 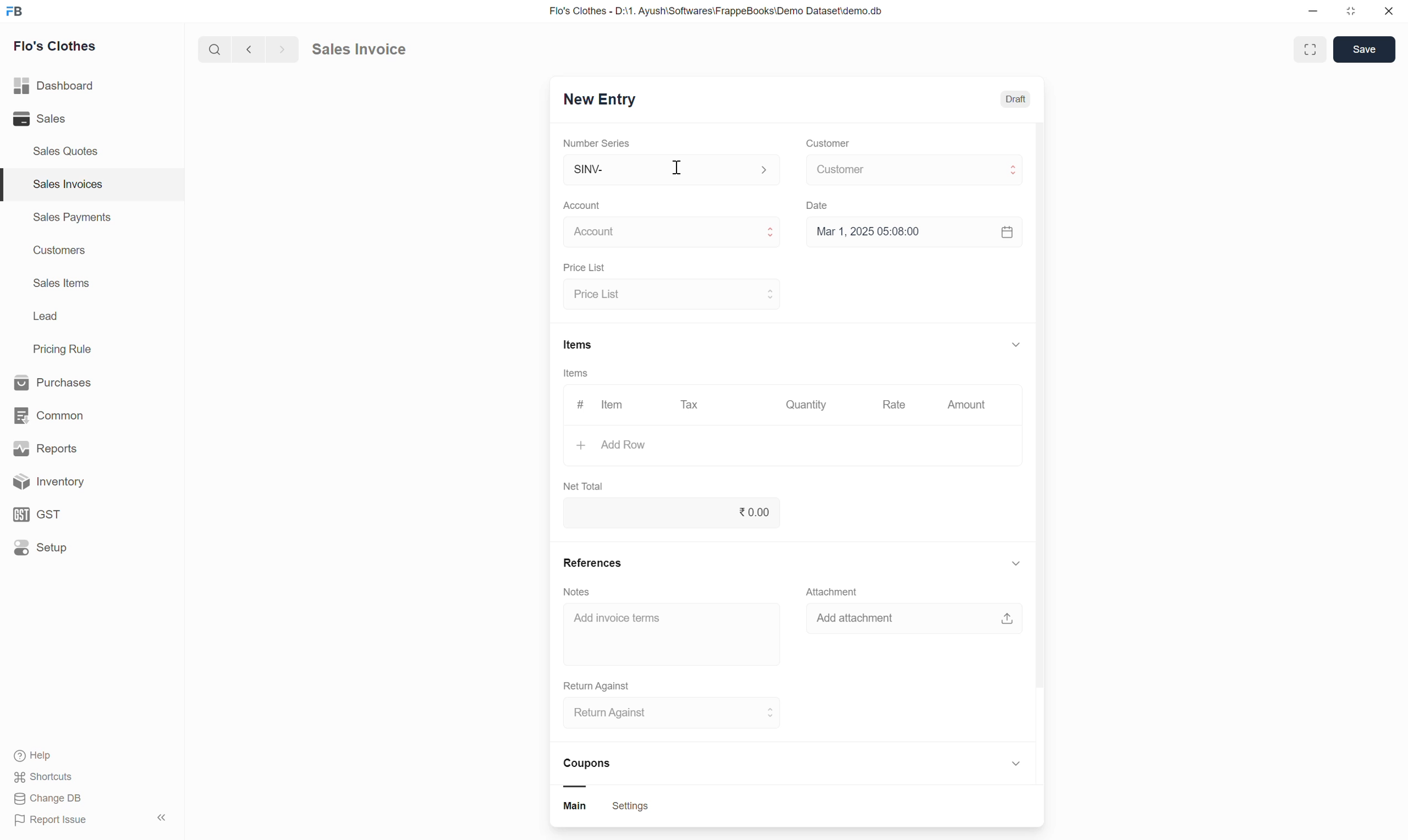 I want to click on add attachment , so click(x=915, y=623).